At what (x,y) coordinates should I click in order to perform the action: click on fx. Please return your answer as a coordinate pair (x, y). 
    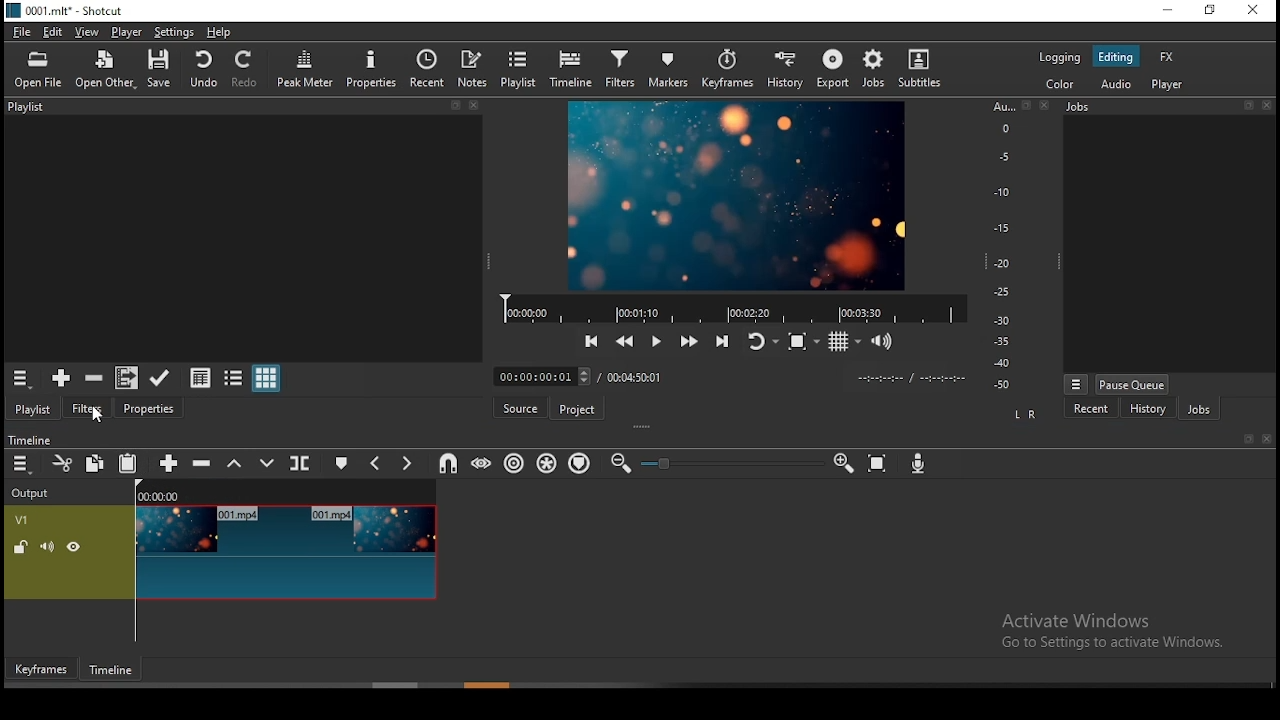
    Looking at the image, I should click on (1167, 55).